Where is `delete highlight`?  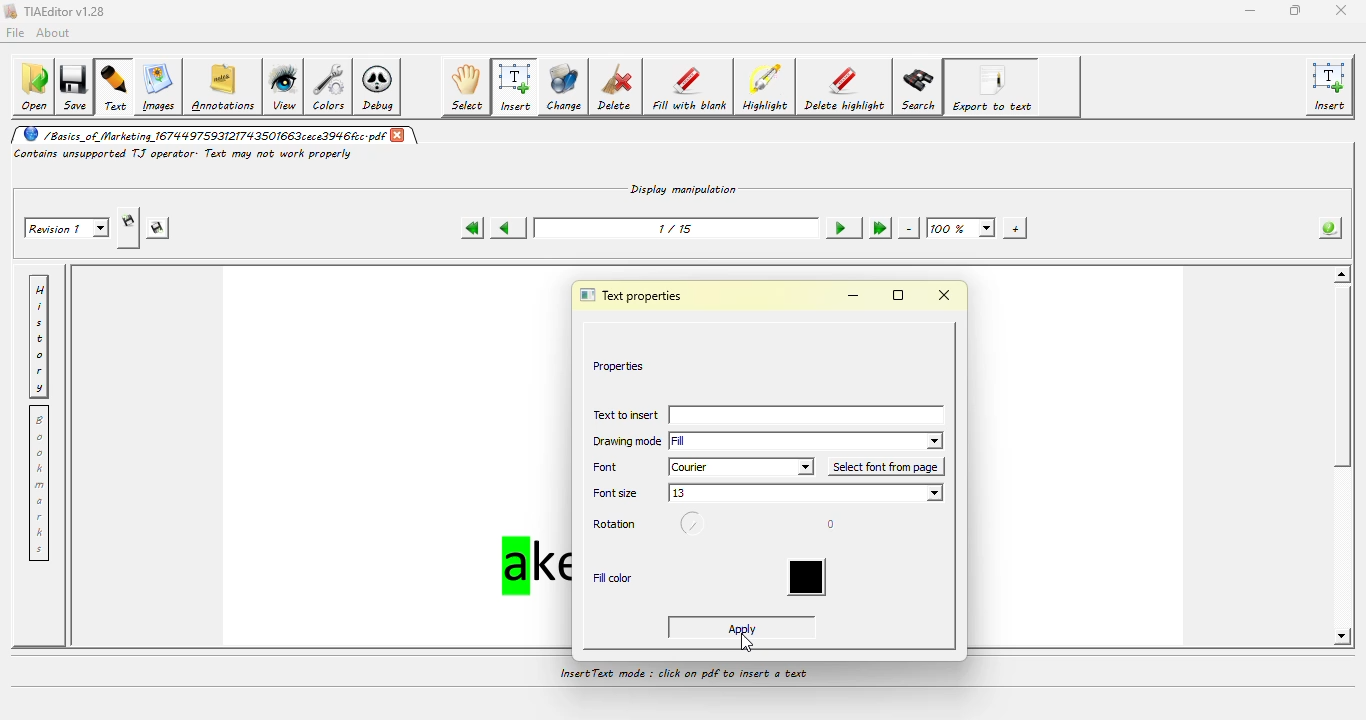
delete highlight is located at coordinates (845, 87).